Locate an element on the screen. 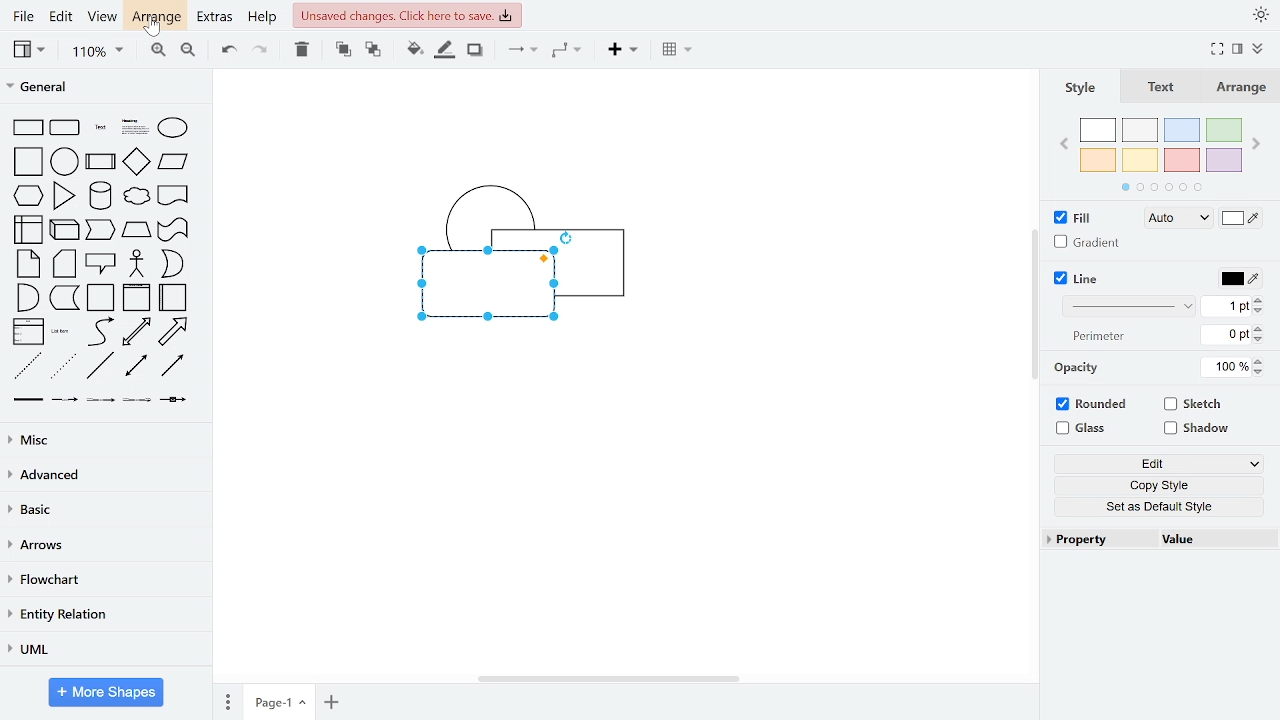 Image resolution: width=1280 pixels, height=720 pixels. yellow is located at coordinates (1141, 159).